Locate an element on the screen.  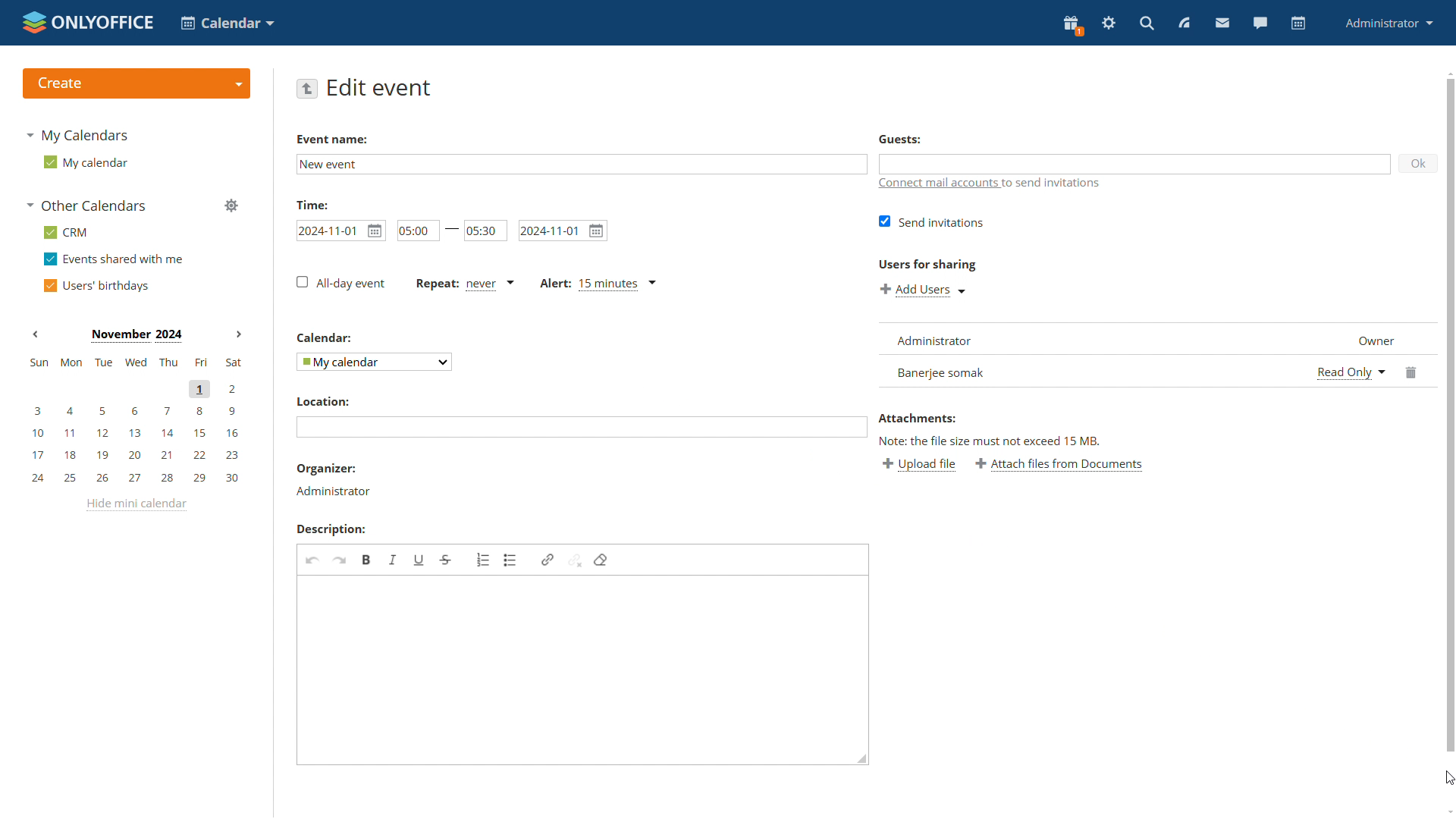
event start time is located at coordinates (340, 229).